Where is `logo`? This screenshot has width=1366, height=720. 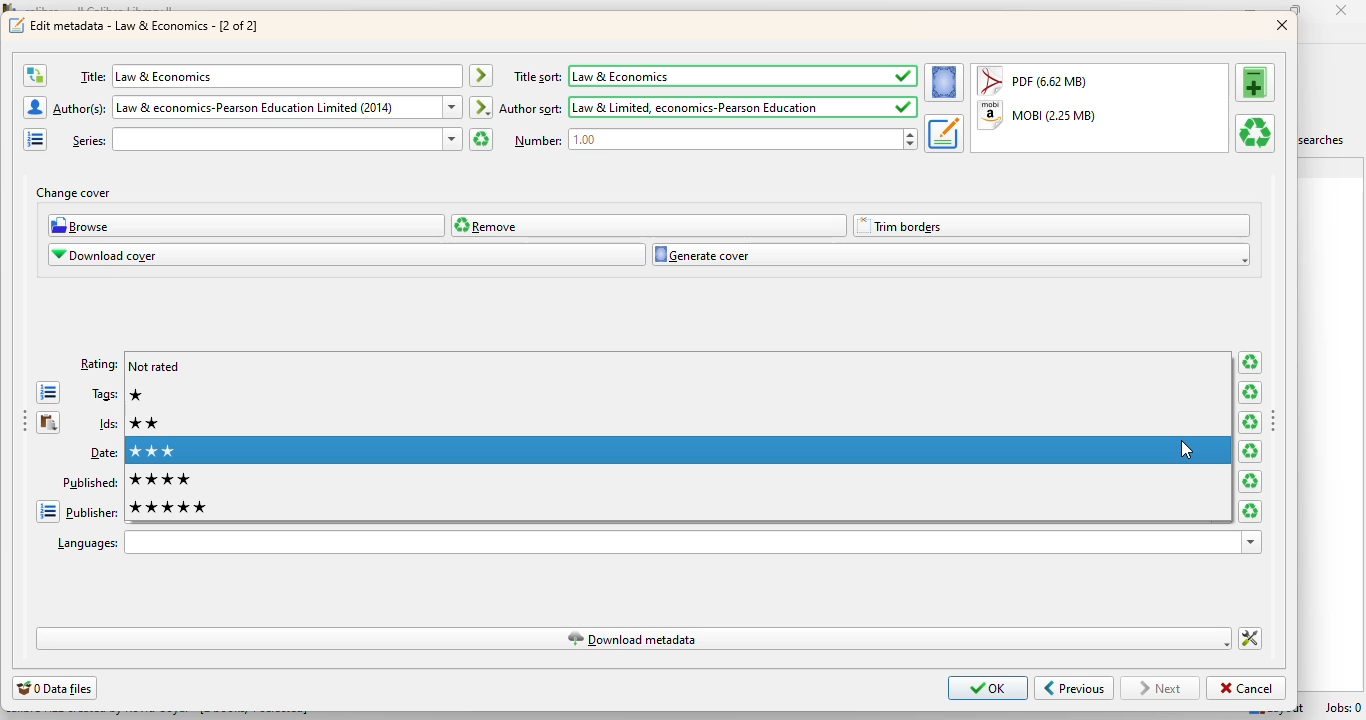
logo is located at coordinates (16, 26).